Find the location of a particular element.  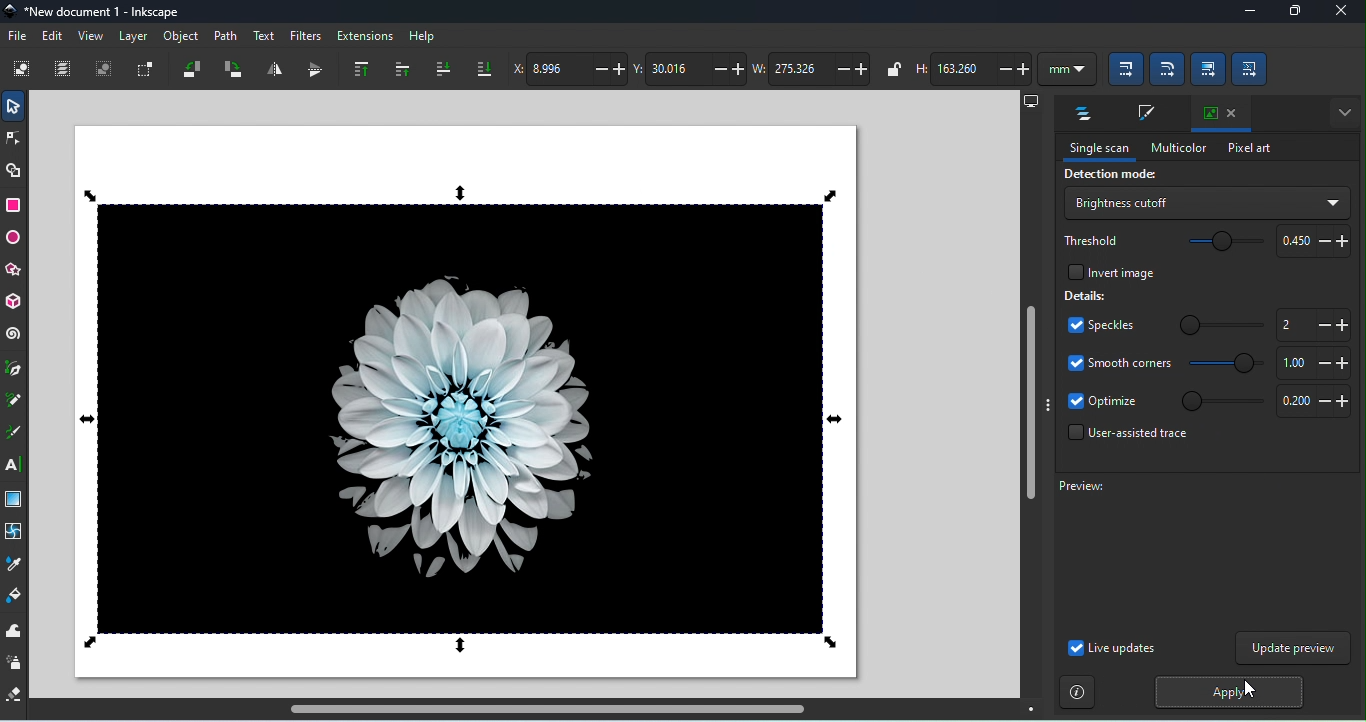

Multi color is located at coordinates (1177, 148).